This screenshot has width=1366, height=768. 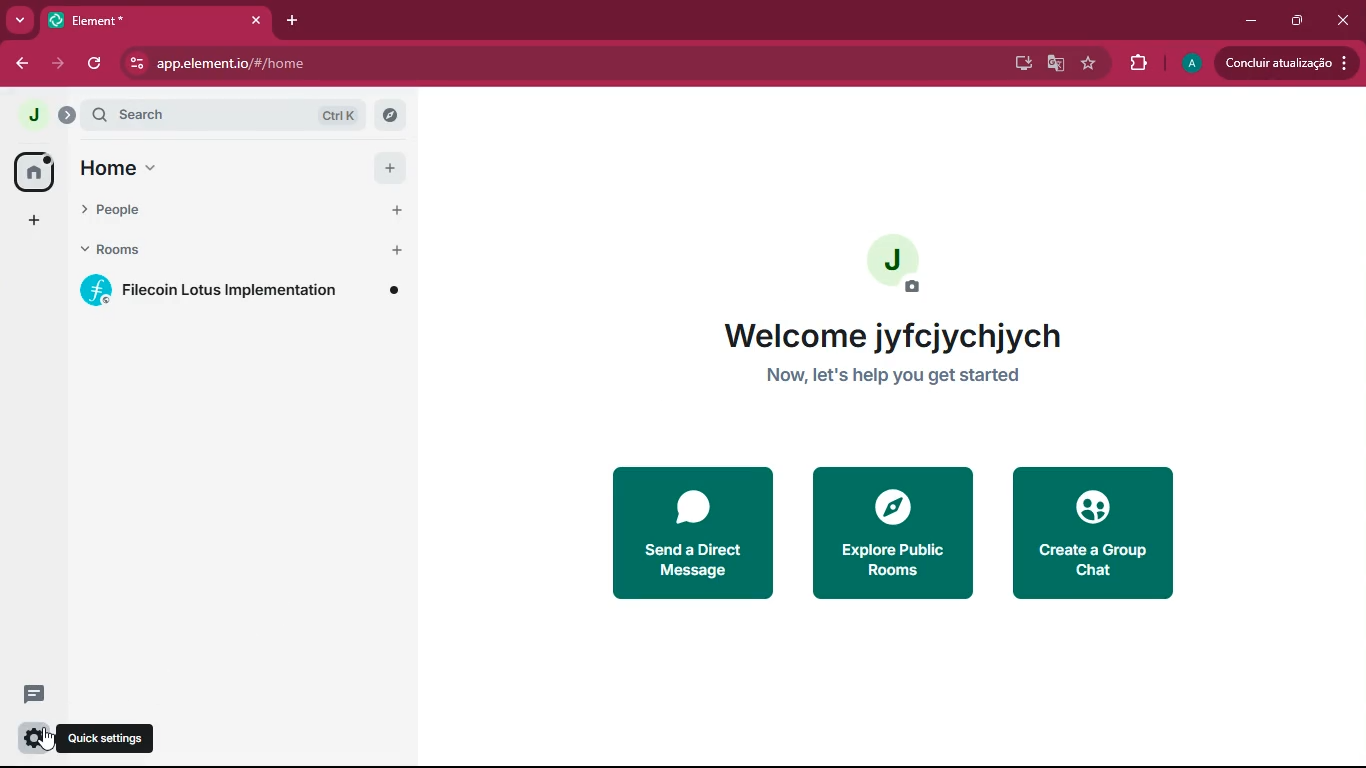 I want to click on refresh, so click(x=97, y=64).